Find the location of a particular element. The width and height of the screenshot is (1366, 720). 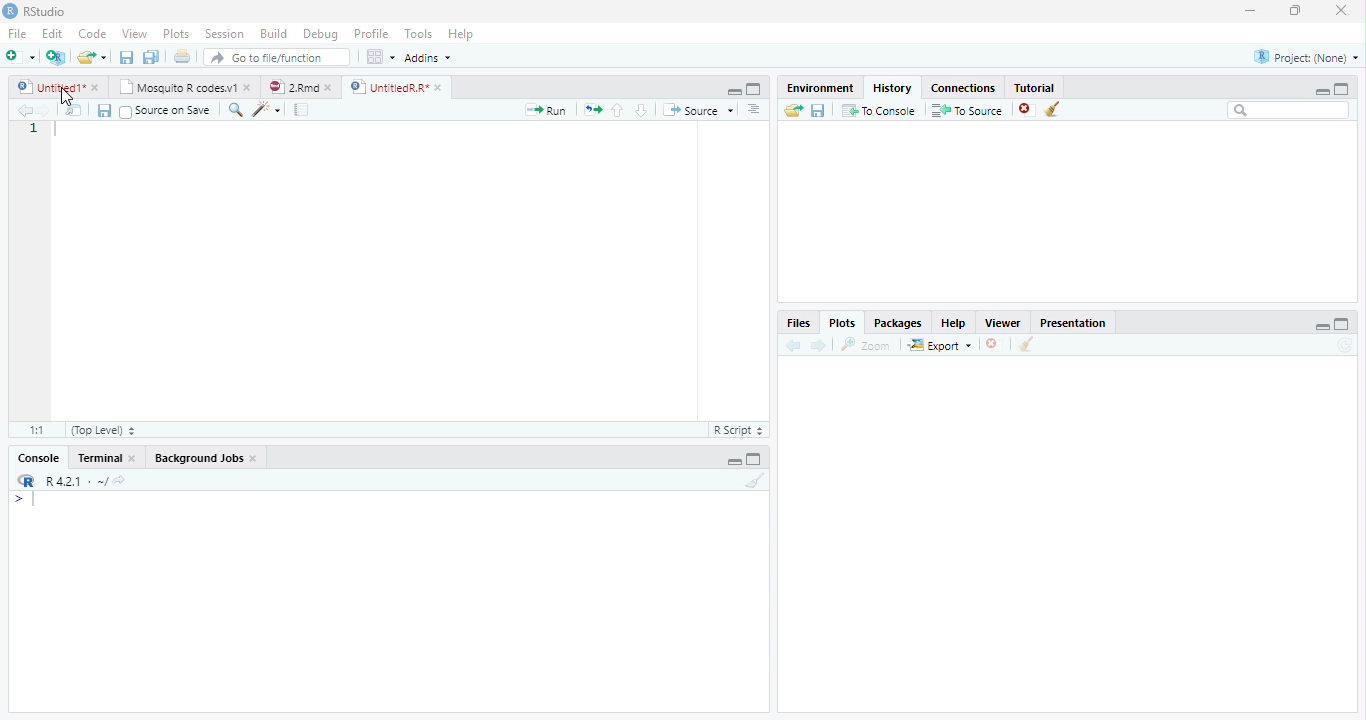

Maximize is located at coordinates (1342, 90).